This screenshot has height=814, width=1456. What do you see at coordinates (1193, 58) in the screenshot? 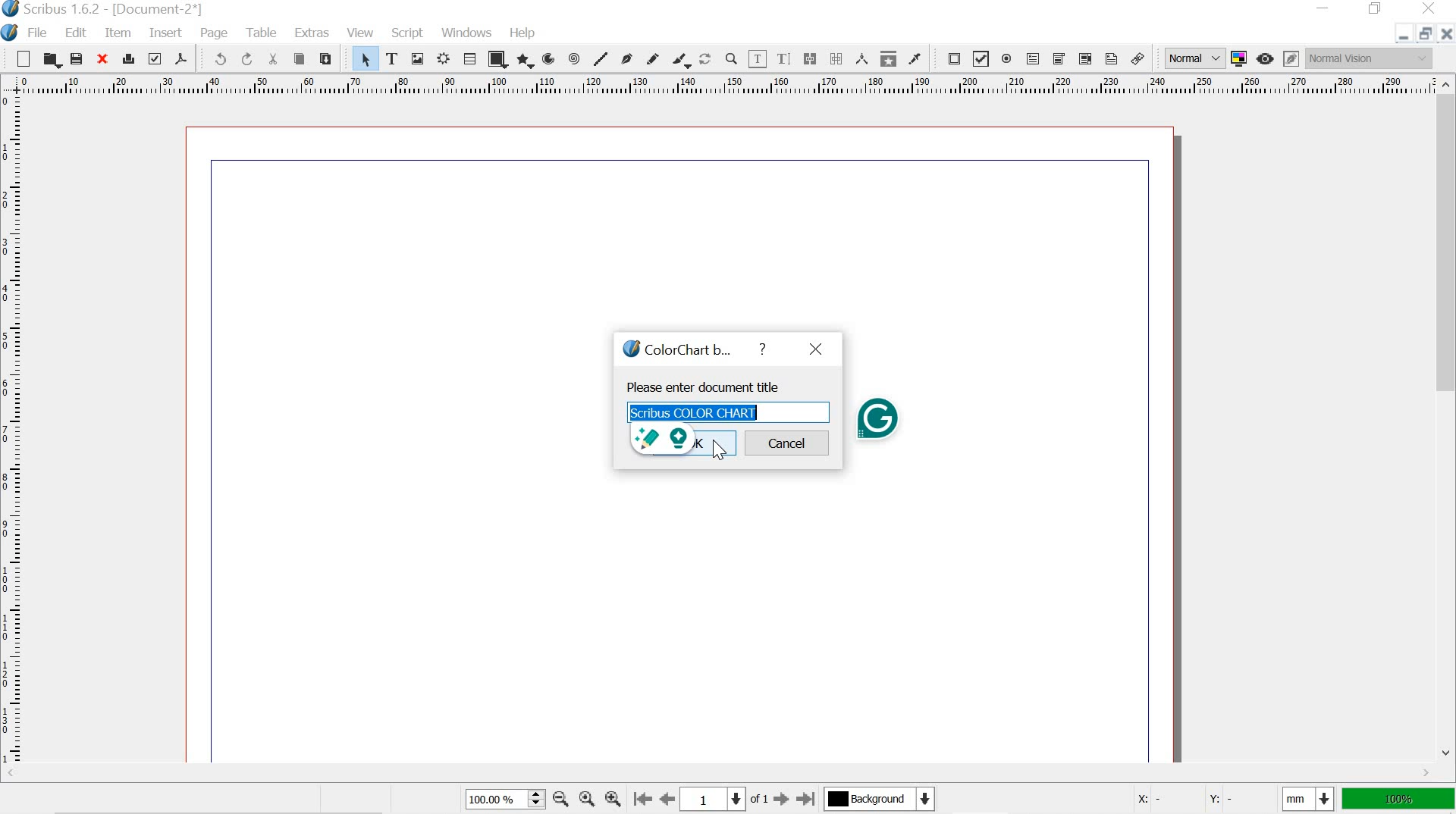
I see `Normal` at bounding box center [1193, 58].